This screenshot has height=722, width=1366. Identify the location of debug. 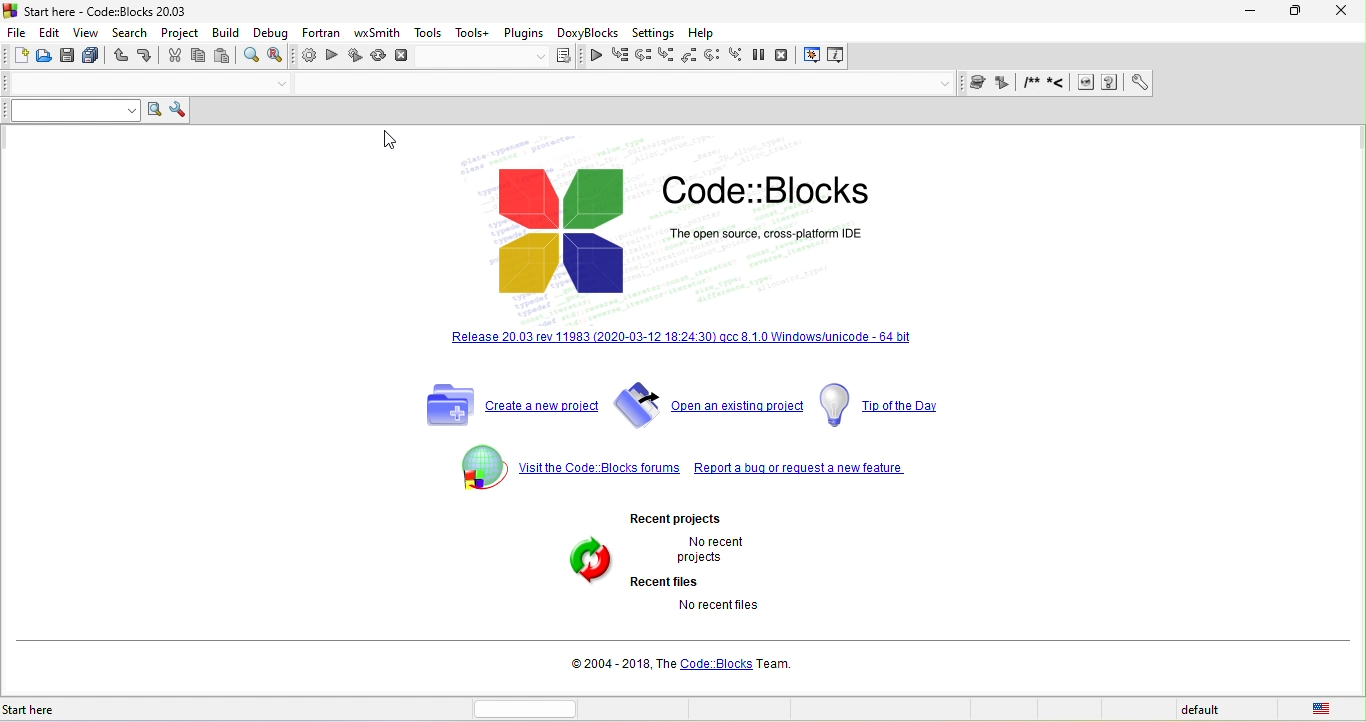
(267, 32).